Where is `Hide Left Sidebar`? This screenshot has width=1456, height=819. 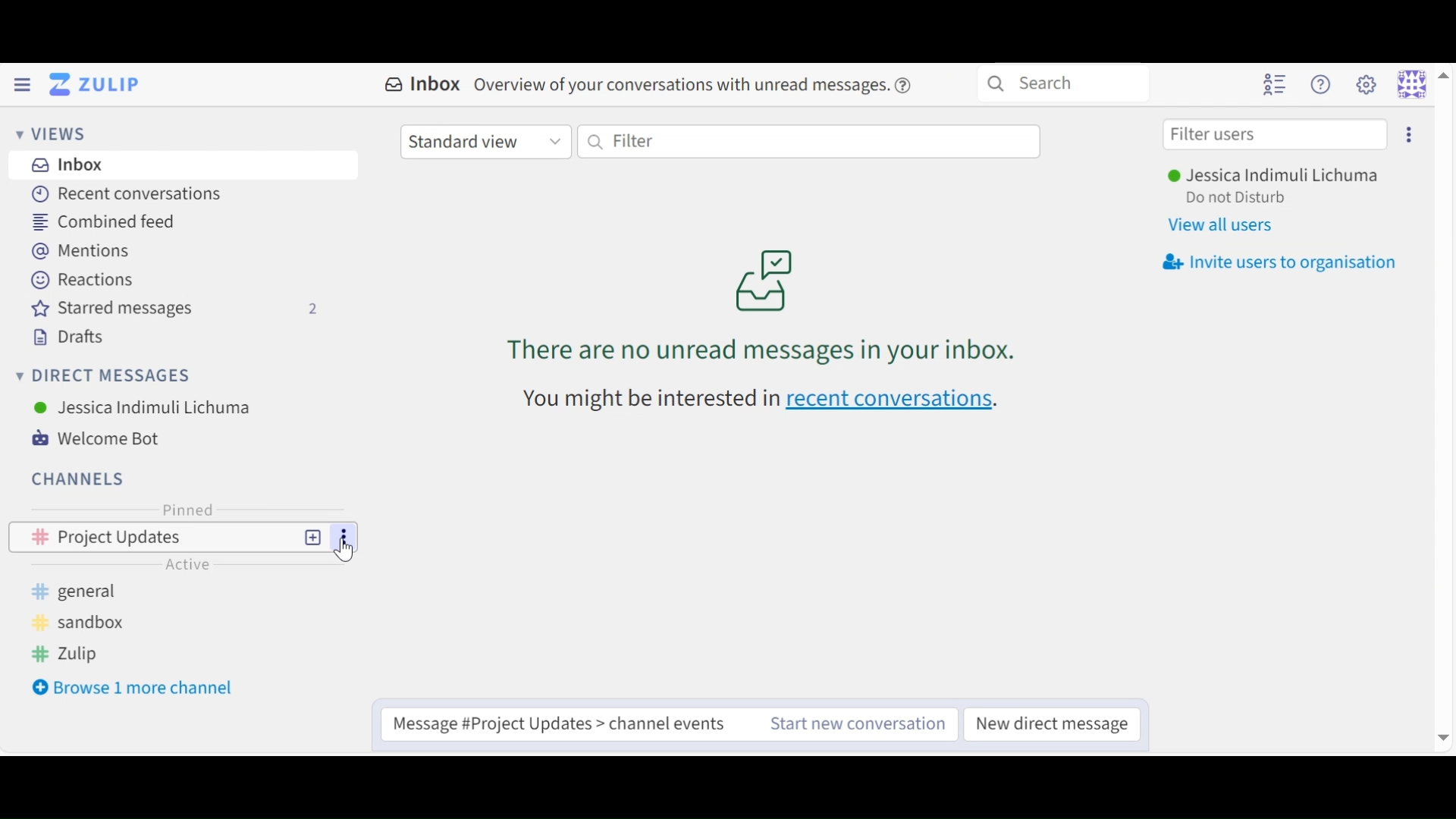 Hide Left Sidebar is located at coordinates (22, 86).